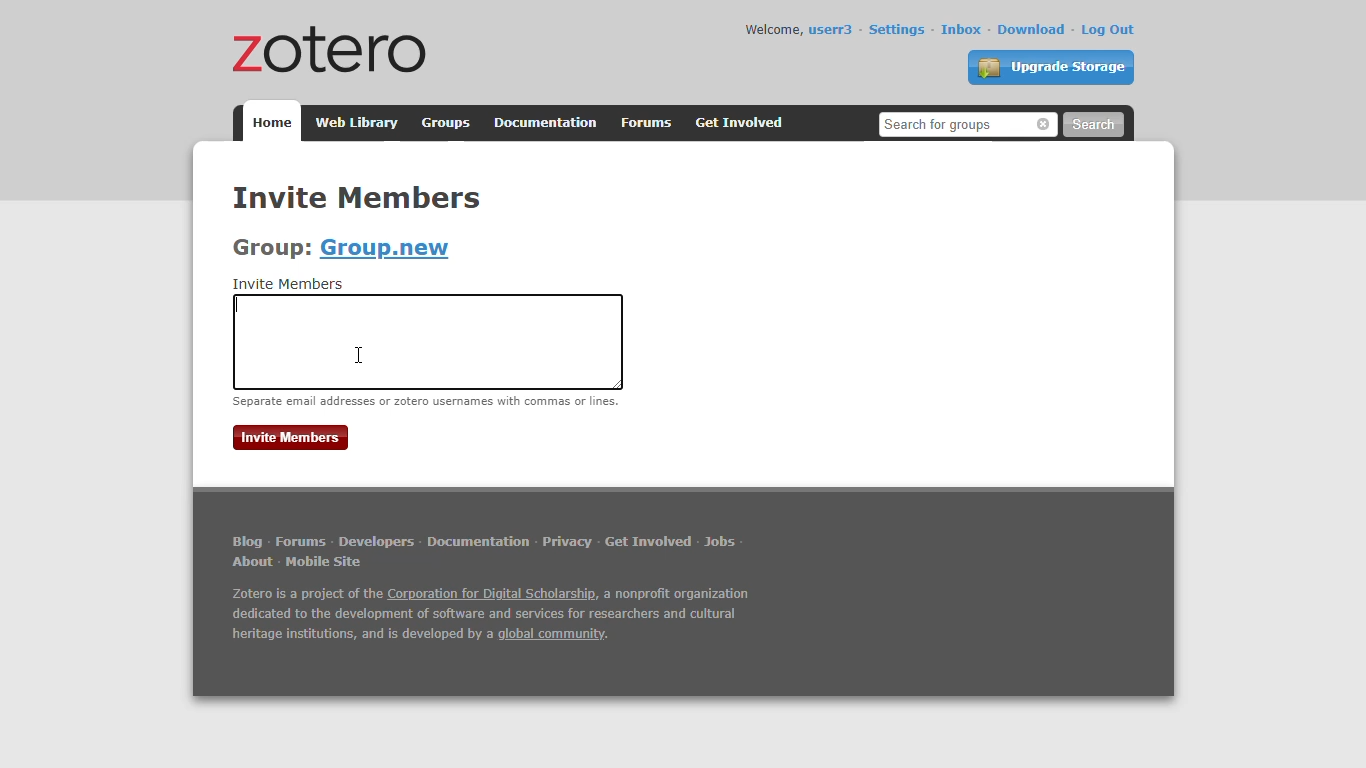 The image size is (1366, 768). Describe the element at coordinates (354, 123) in the screenshot. I see `web library` at that location.